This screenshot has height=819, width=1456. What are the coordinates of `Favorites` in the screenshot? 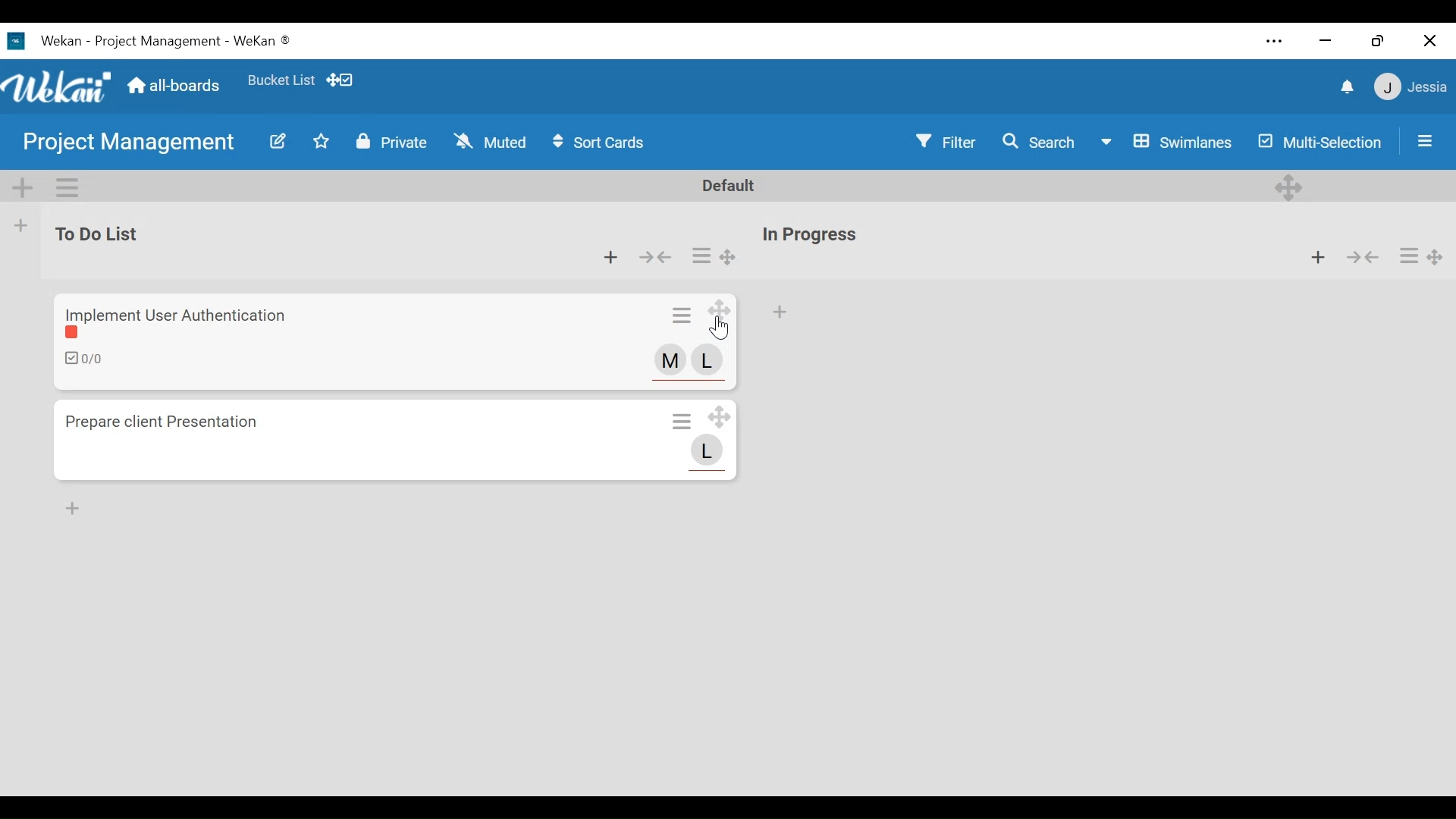 It's located at (281, 80).